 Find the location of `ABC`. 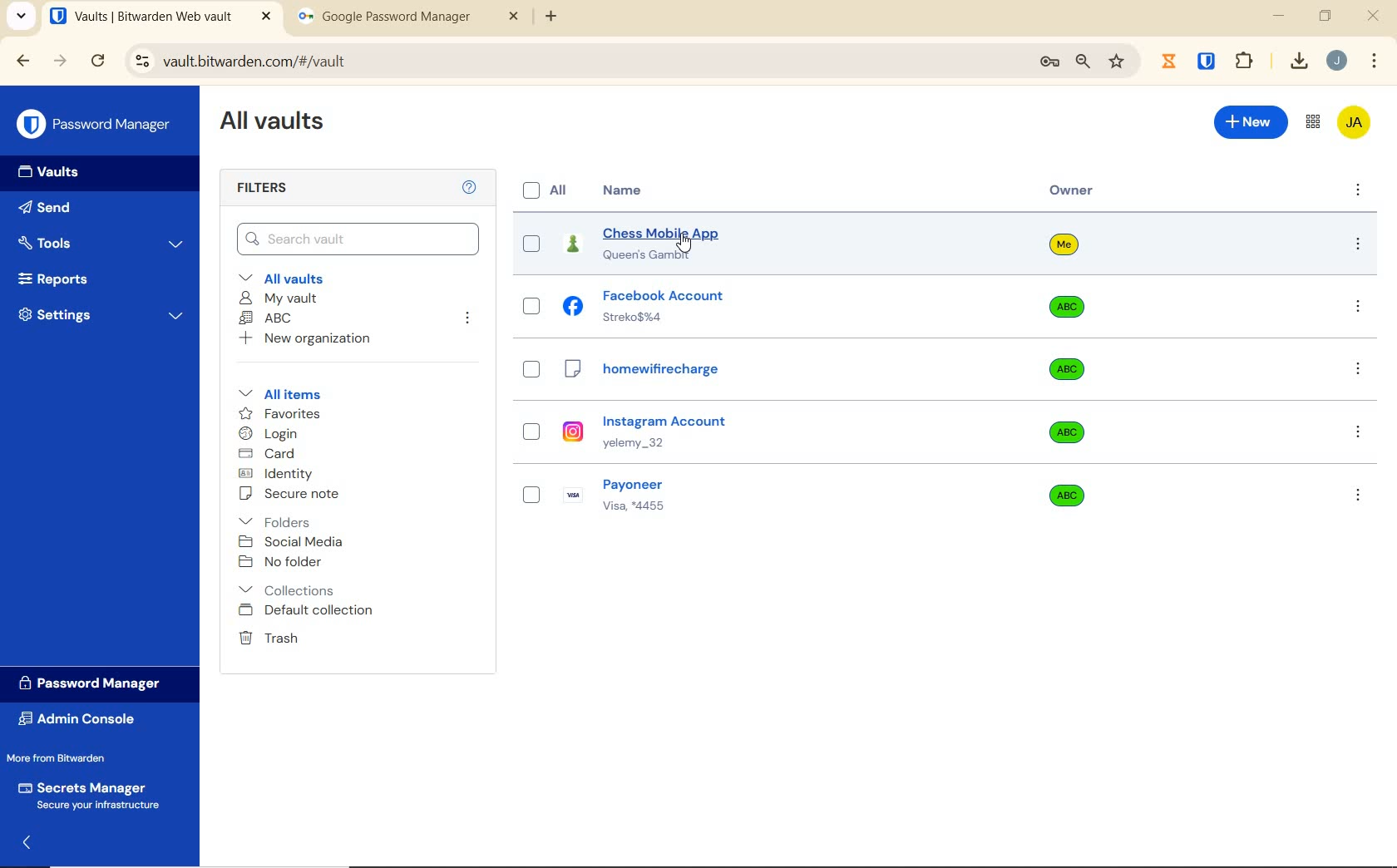

ABC is located at coordinates (268, 318).